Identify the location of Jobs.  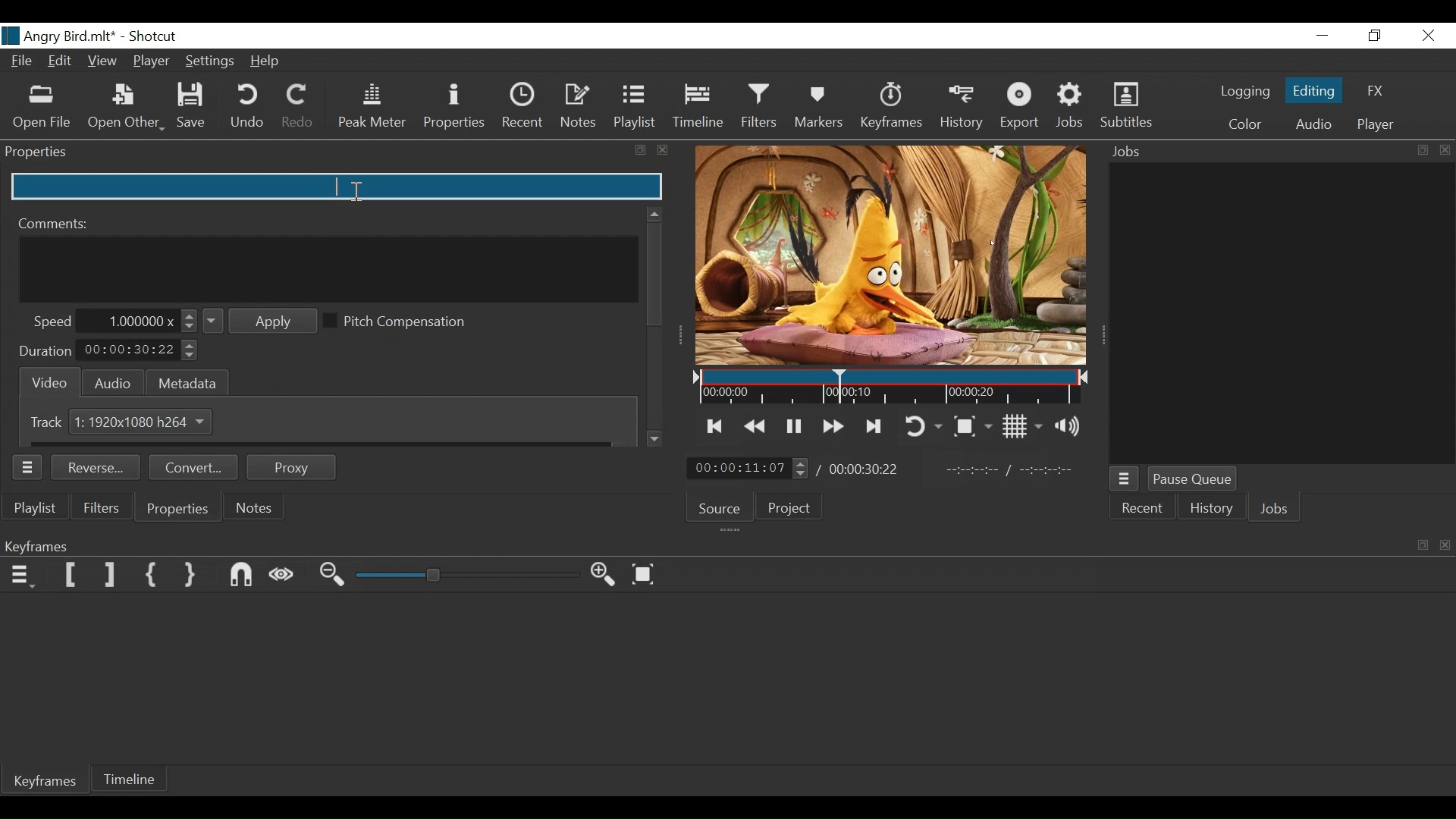
(1072, 108).